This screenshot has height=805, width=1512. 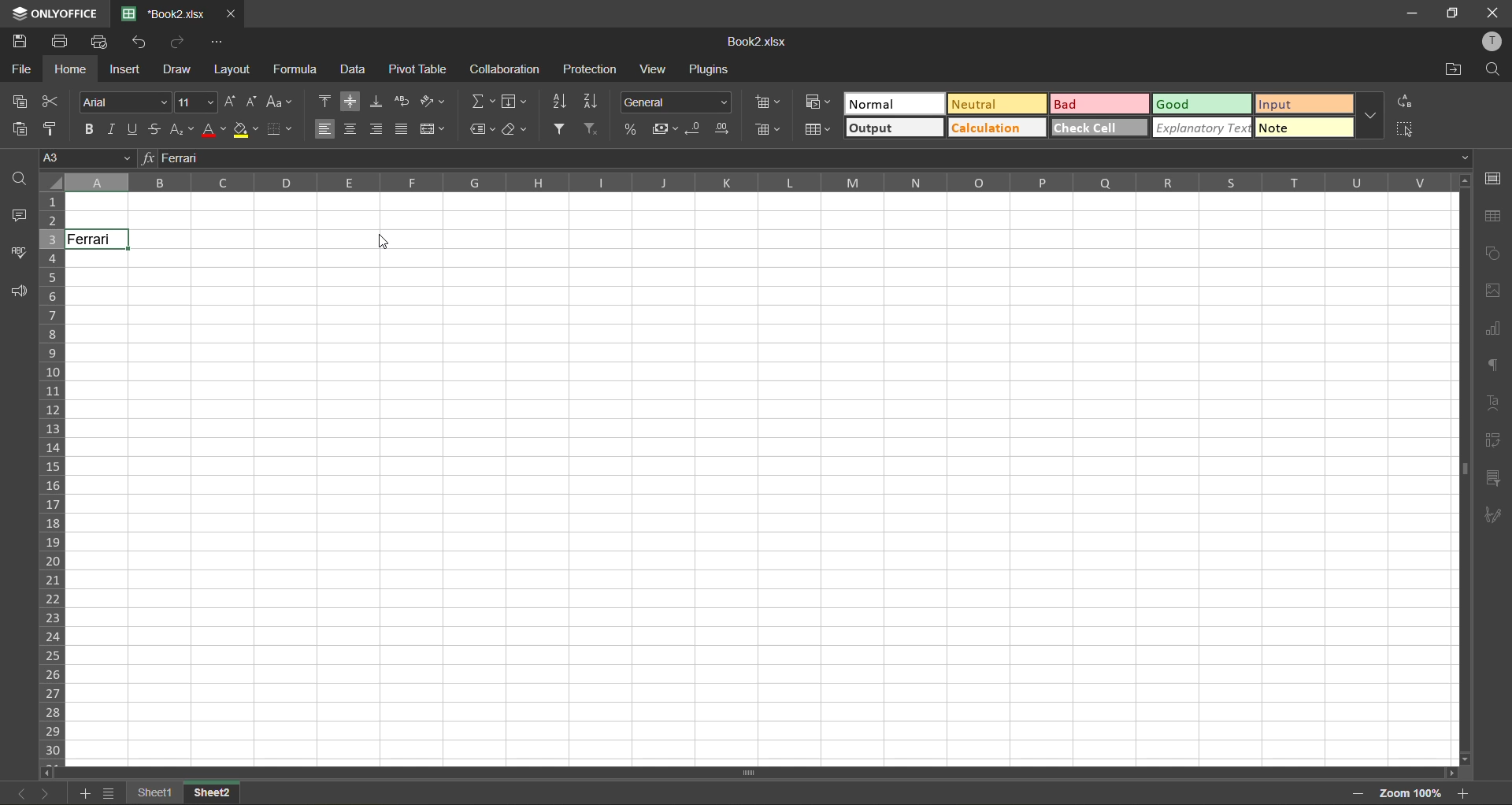 What do you see at coordinates (254, 101) in the screenshot?
I see `decrement size` at bounding box center [254, 101].